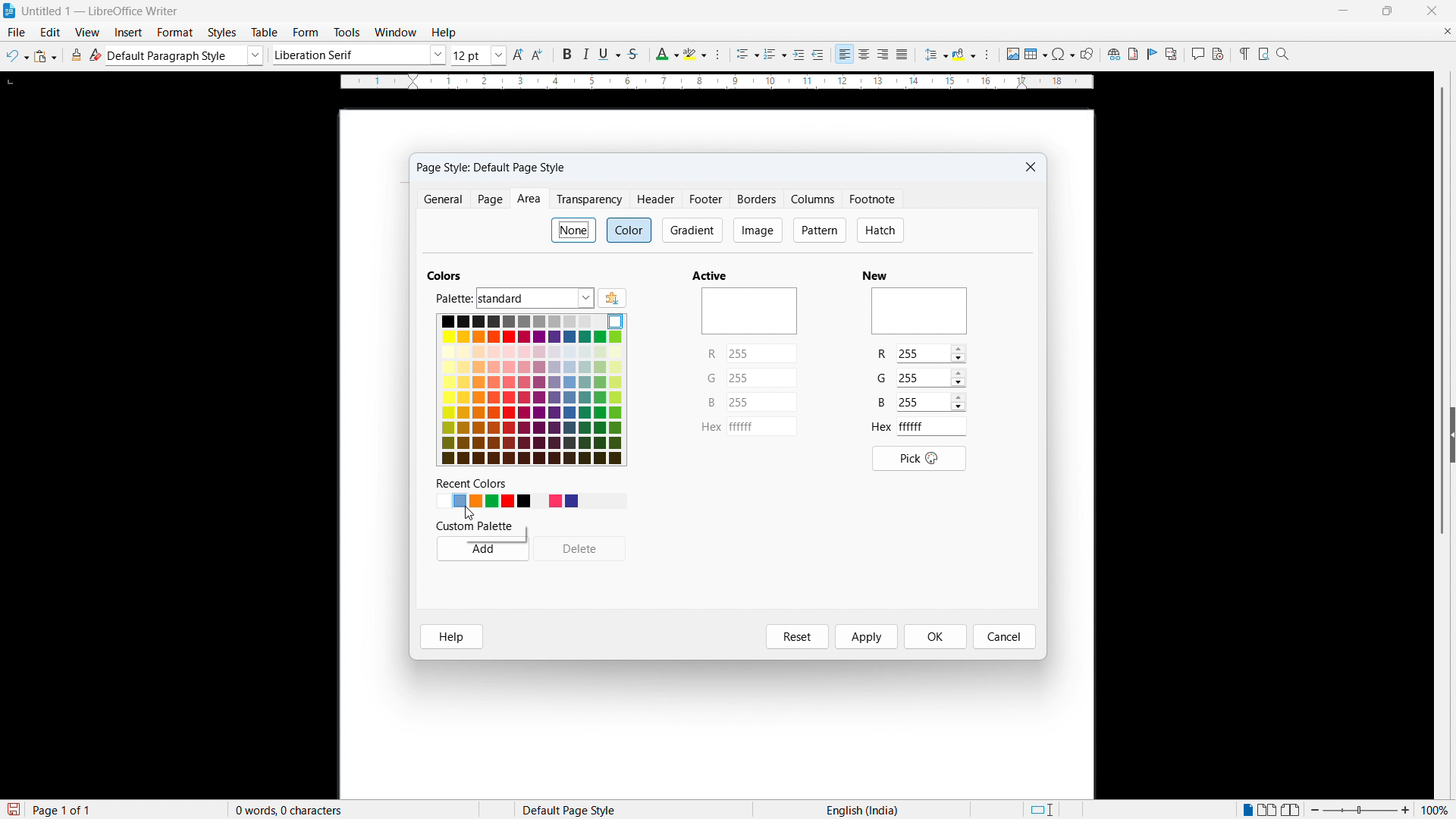 The height and width of the screenshot is (819, 1456). I want to click on set B, so click(762, 401).